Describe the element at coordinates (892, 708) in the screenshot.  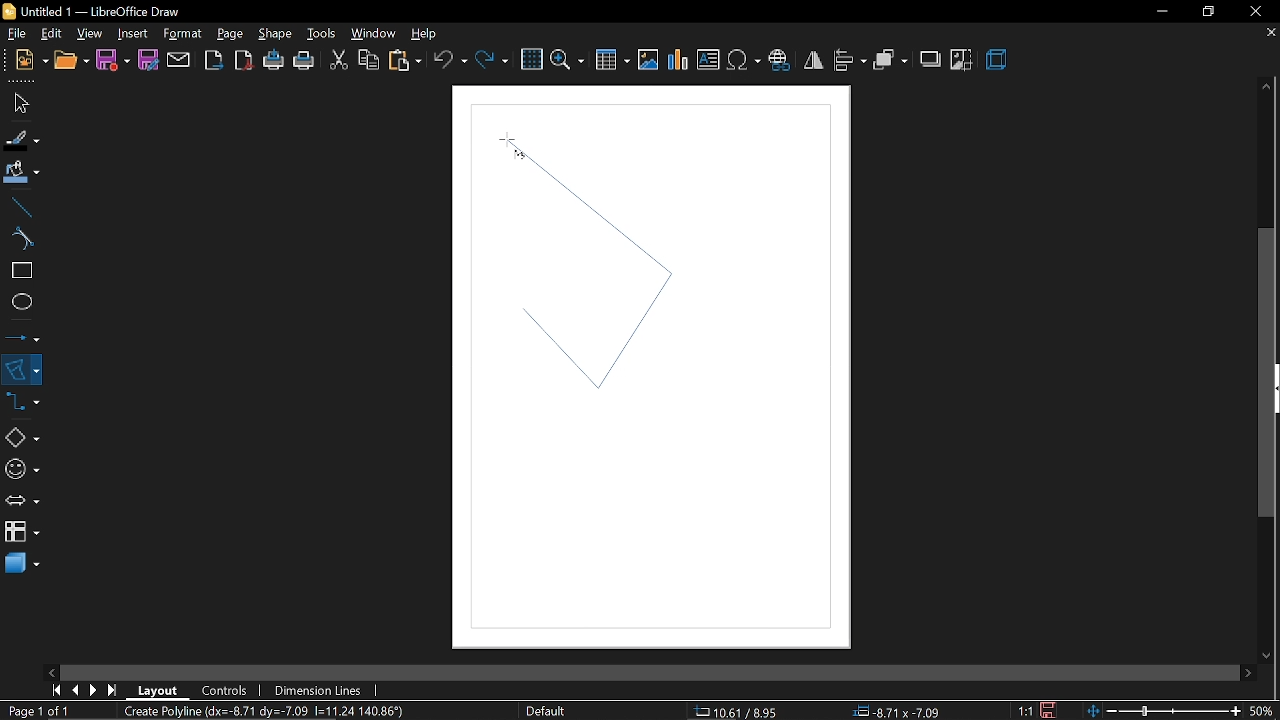
I see `position 00X00` at that location.